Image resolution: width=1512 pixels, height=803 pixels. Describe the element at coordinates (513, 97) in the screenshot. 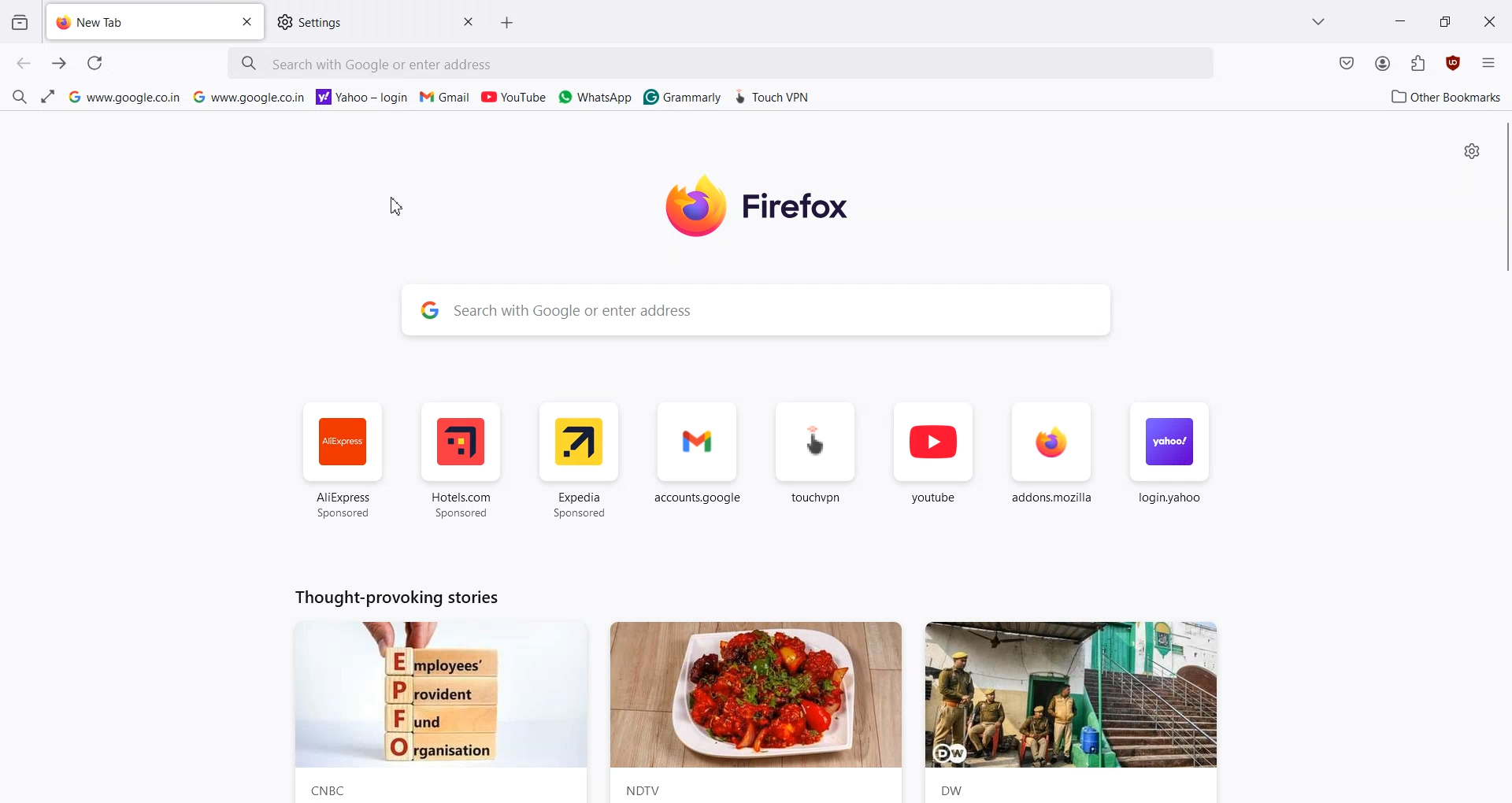

I see `Youtube Bookmark` at that location.